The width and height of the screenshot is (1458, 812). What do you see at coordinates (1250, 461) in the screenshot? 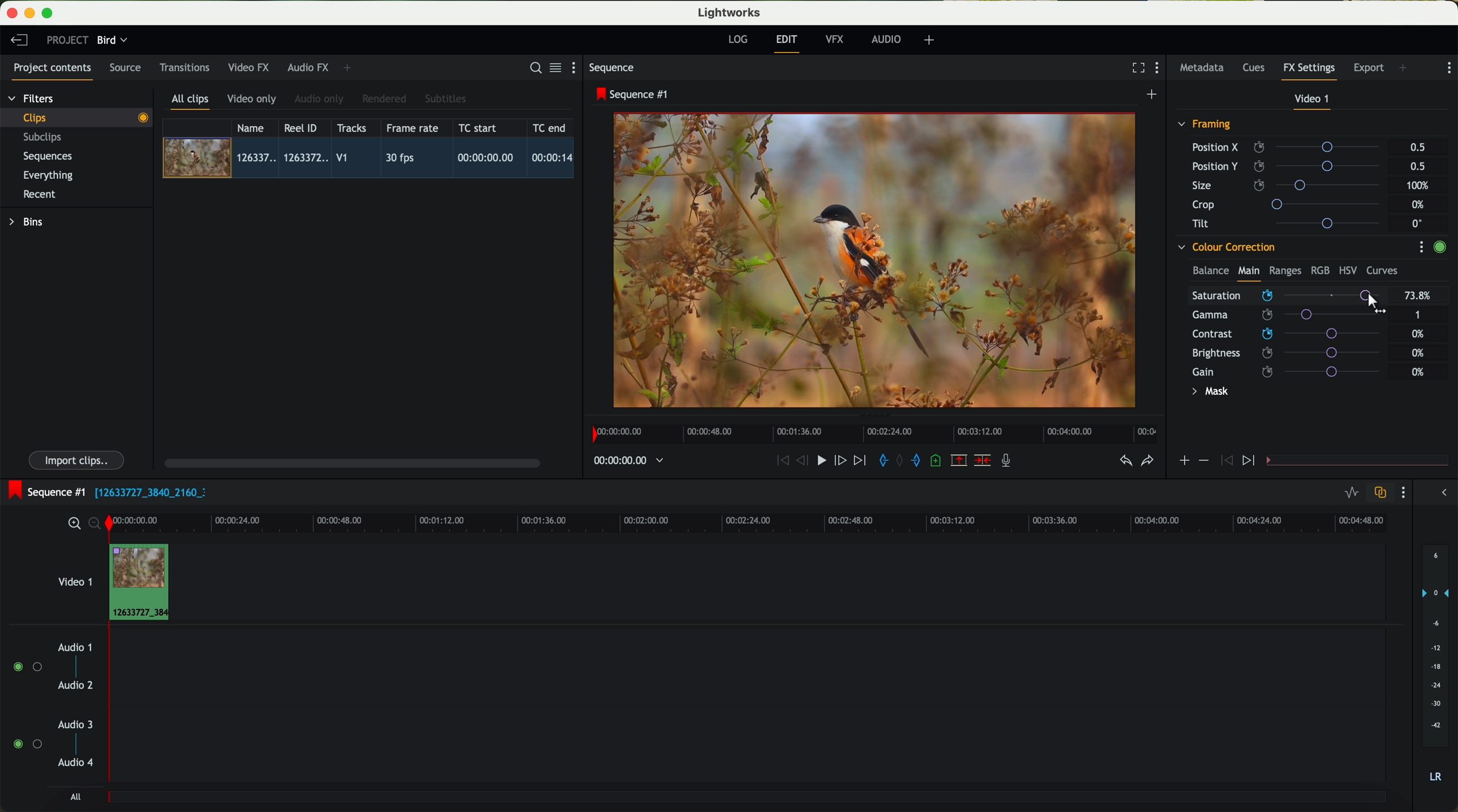
I see `icon` at bounding box center [1250, 461].